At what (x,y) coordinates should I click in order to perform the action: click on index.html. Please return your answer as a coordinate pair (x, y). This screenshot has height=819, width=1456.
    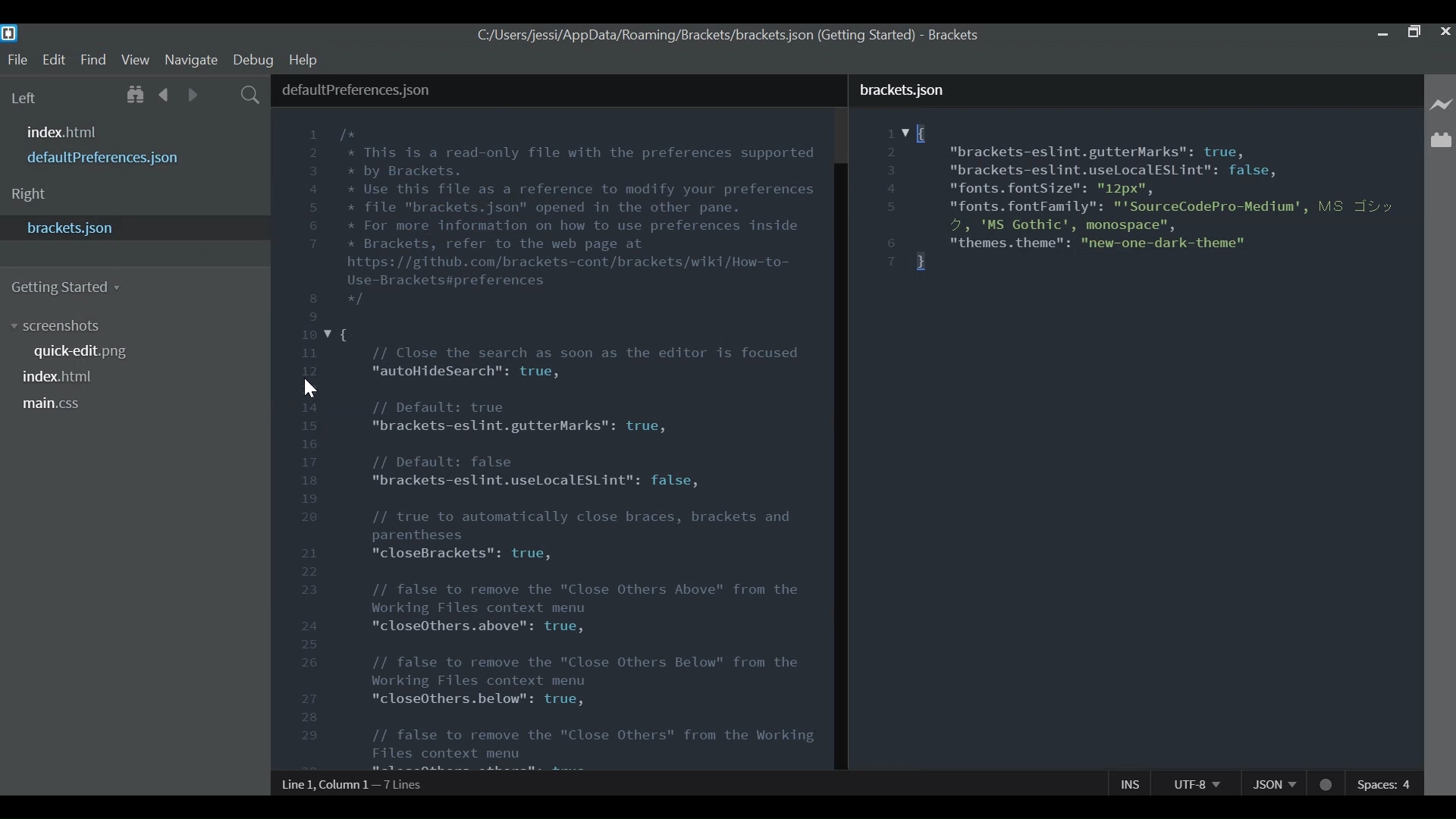
    Looking at the image, I should click on (64, 132).